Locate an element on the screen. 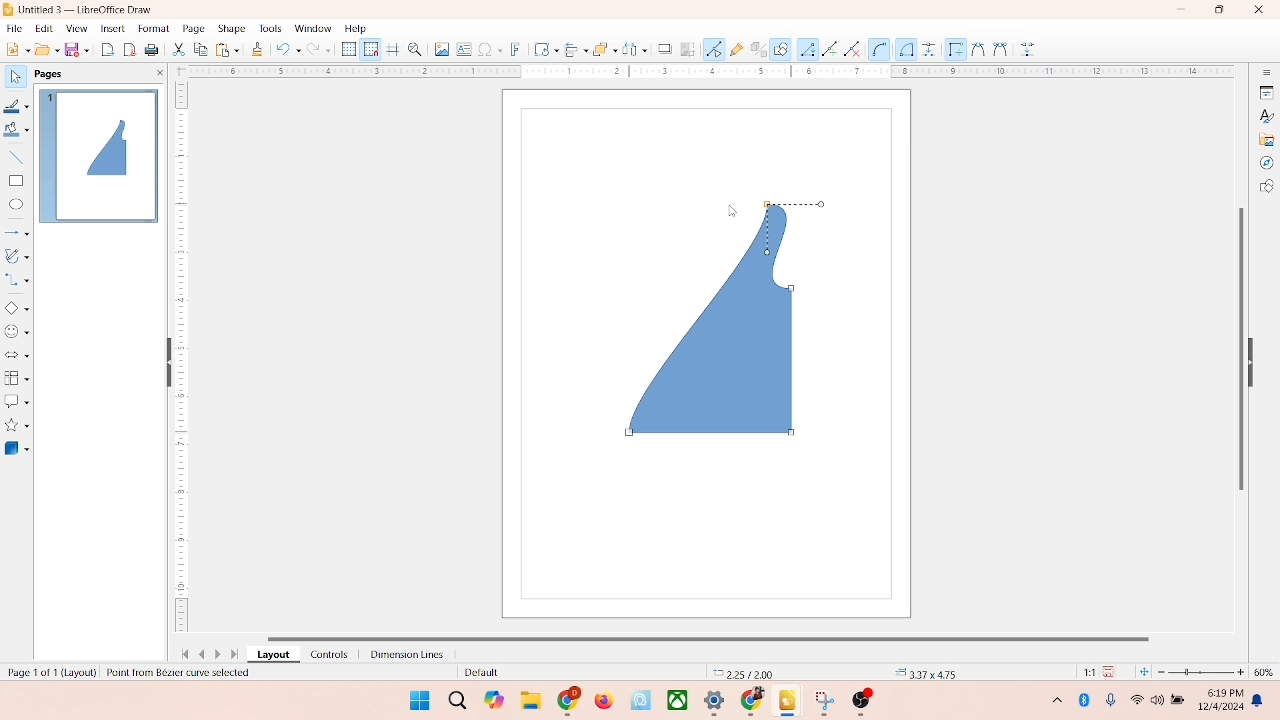 The width and height of the screenshot is (1280, 720). Bluetooth is located at coordinates (1088, 700).